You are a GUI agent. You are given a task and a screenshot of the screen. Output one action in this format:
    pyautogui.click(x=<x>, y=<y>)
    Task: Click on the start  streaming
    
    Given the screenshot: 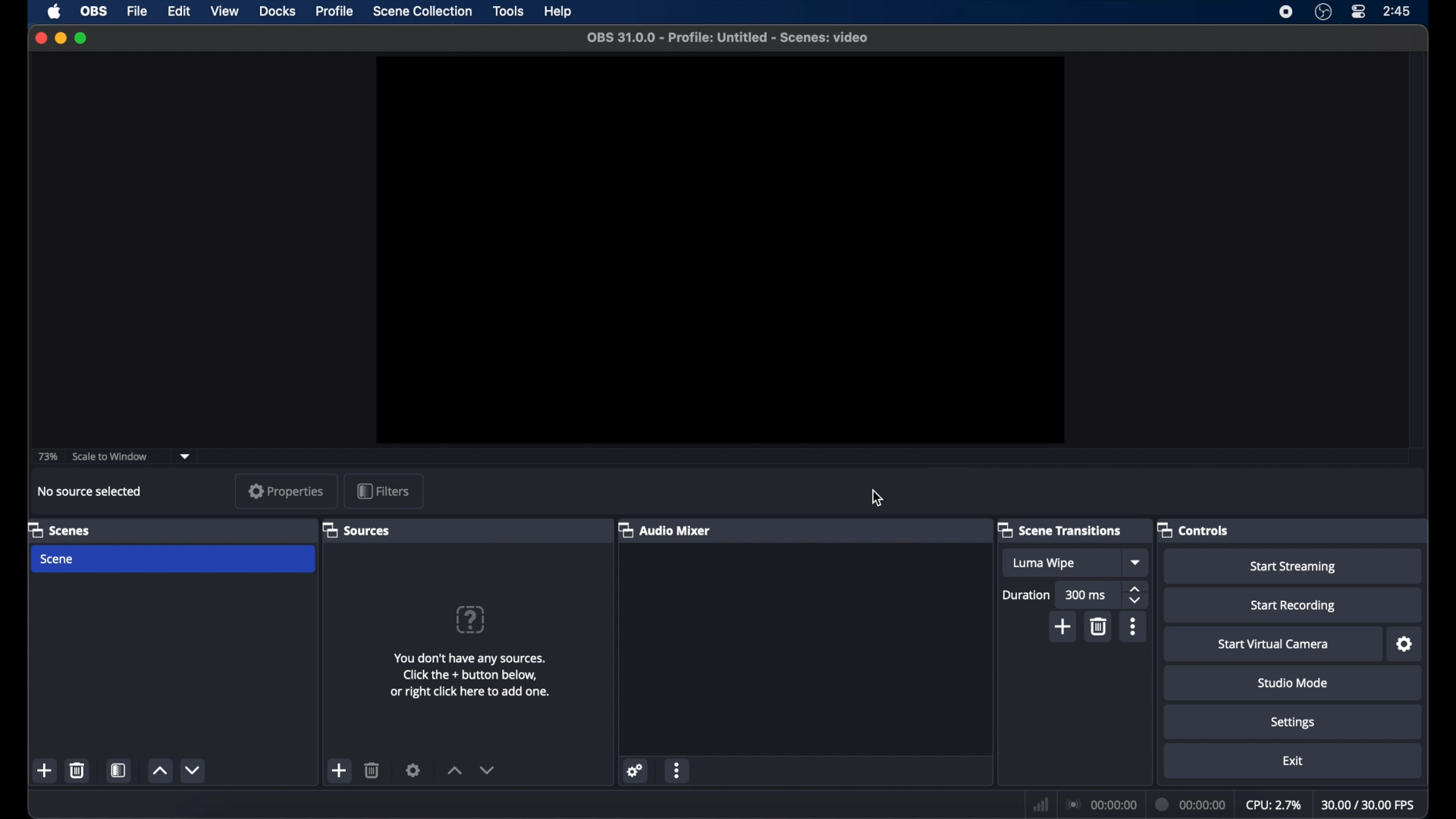 What is the action you would take?
    pyautogui.click(x=1294, y=567)
    